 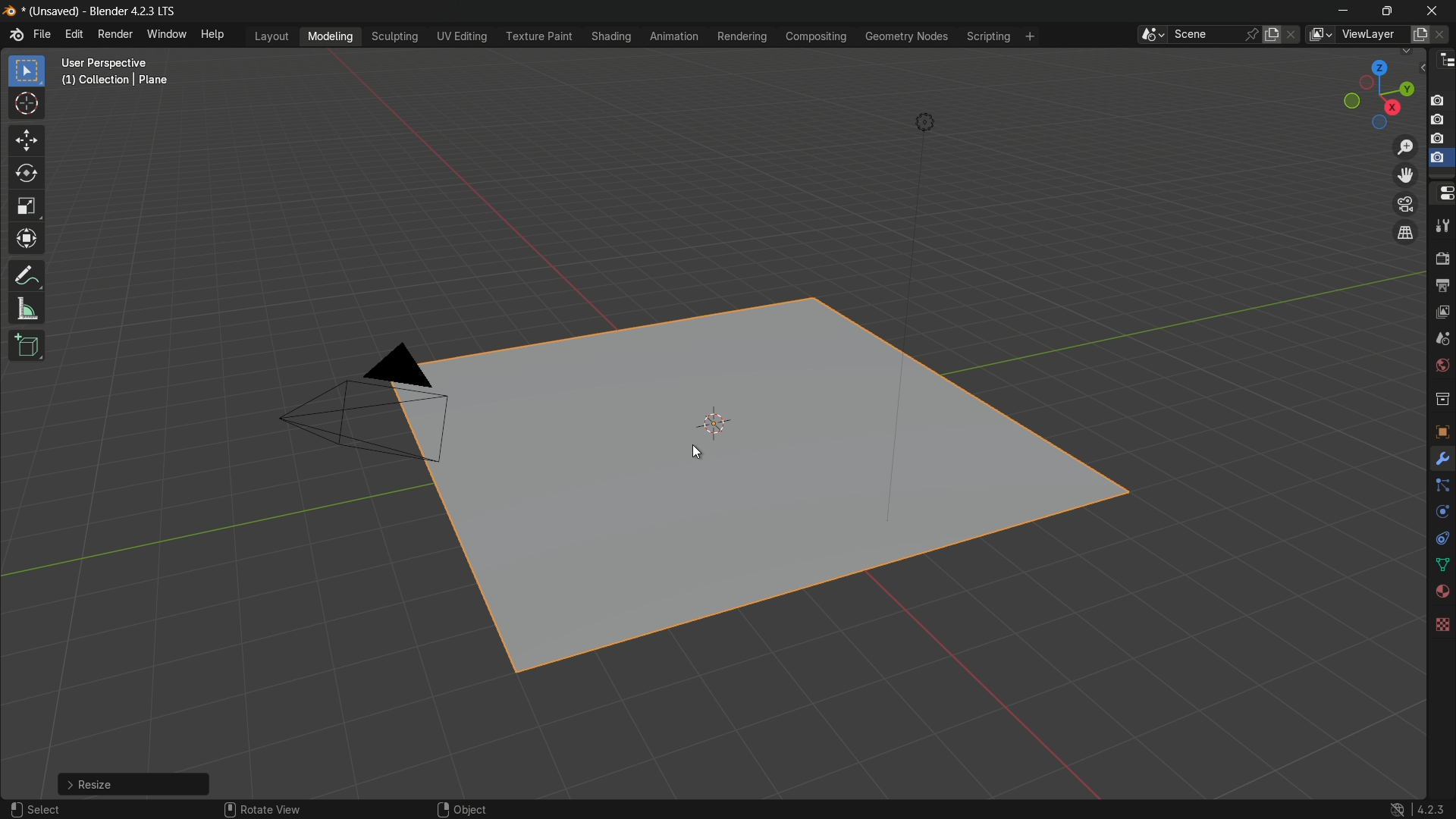 What do you see at coordinates (1443, 461) in the screenshot?
I see `tools` at bounding box center [1443, 461].